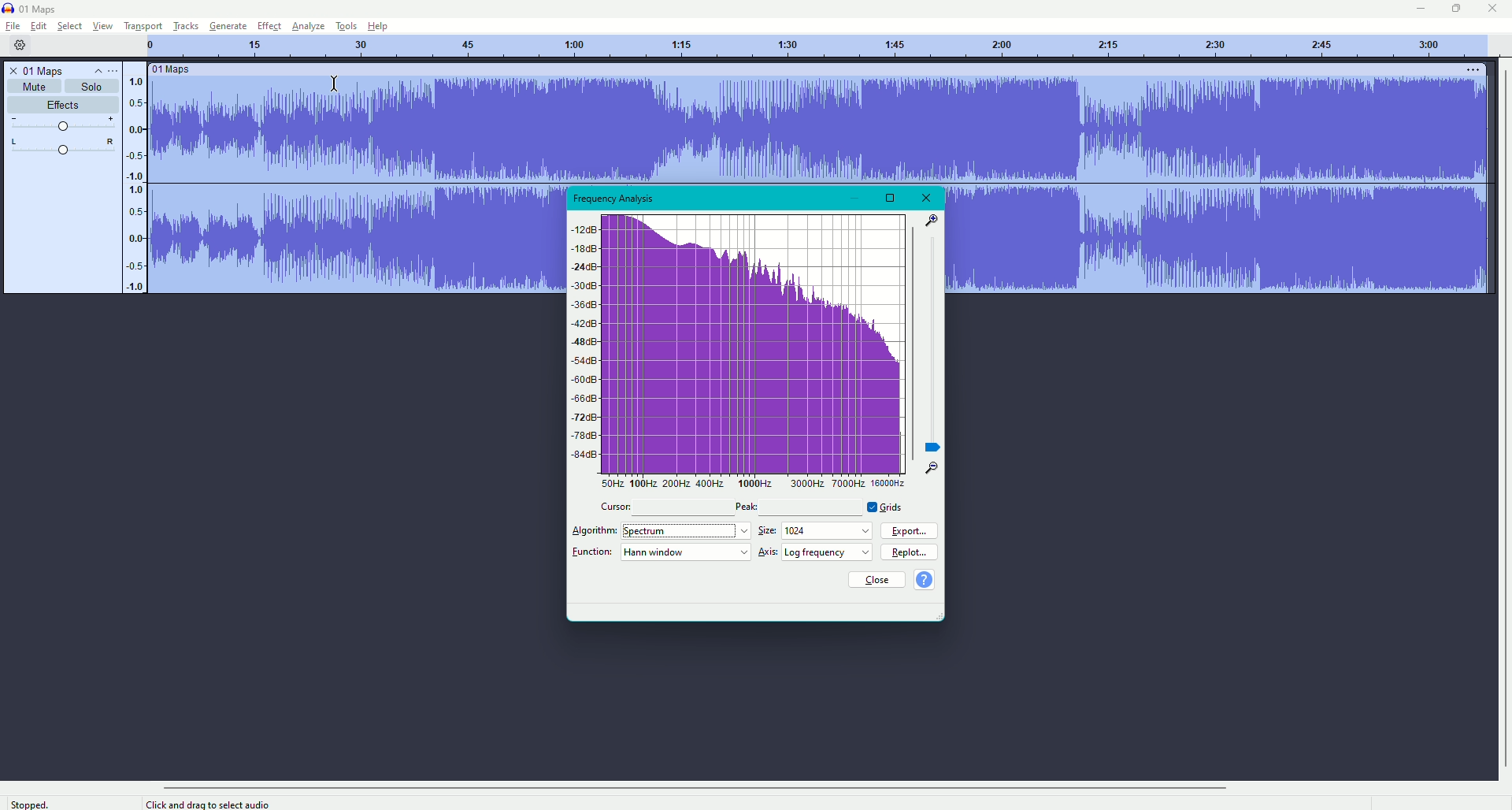  Describe the element at coordinates (751, 124) in the screenshot. I see `sound track` at that location.